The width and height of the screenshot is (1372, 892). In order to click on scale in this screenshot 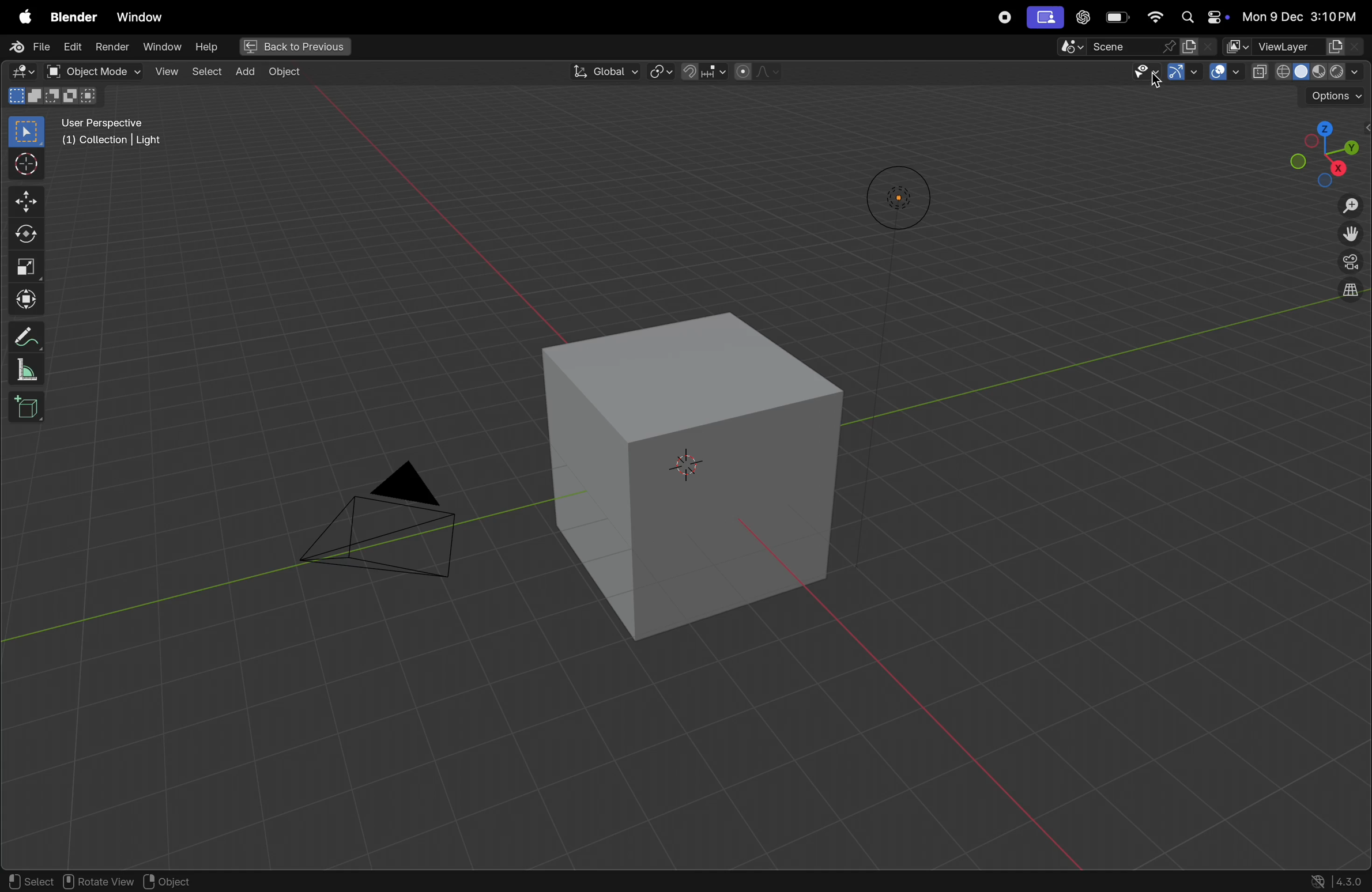, I will do `click(27, 265)`.